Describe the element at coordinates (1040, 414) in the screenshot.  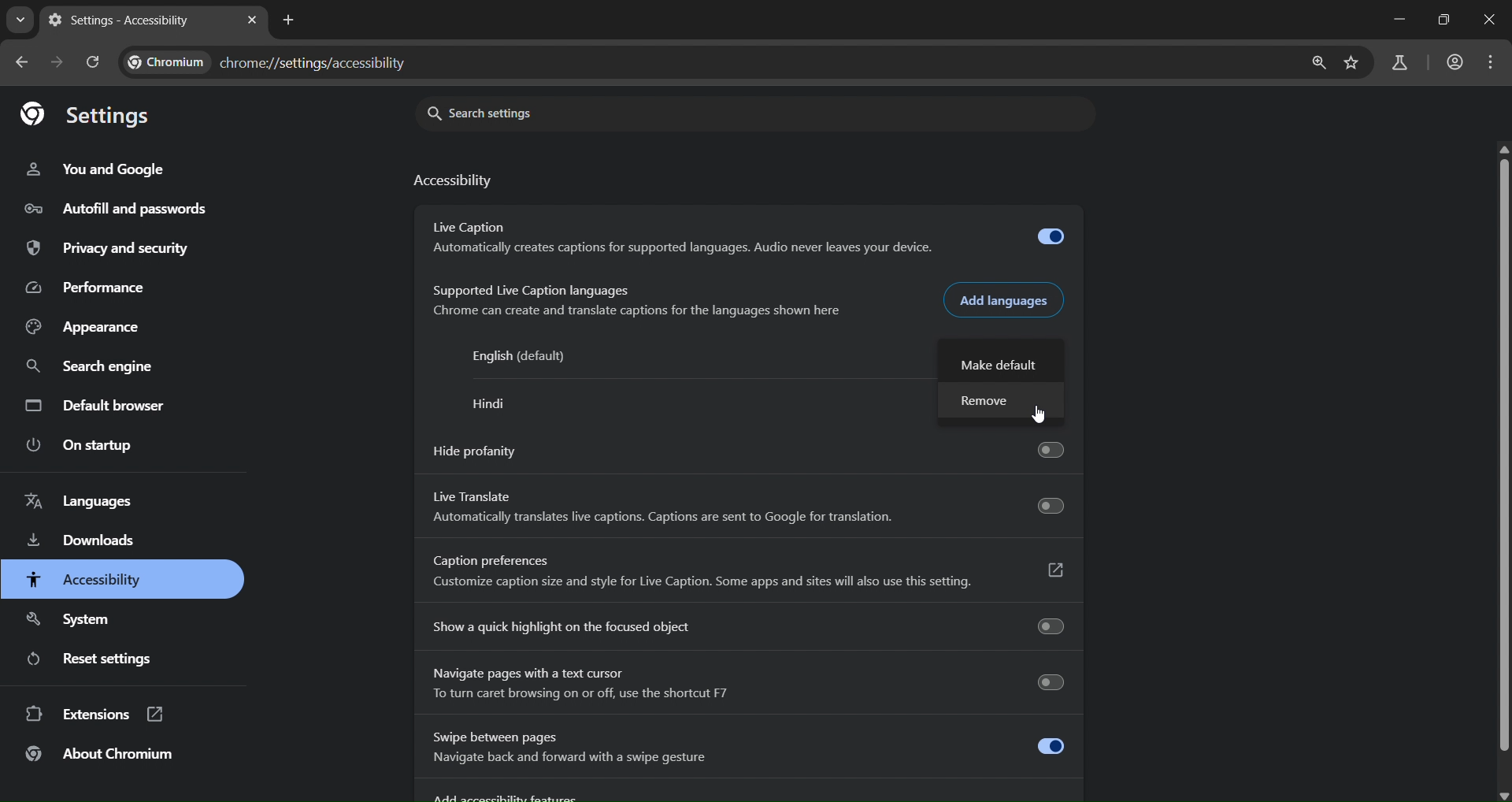
I see `cursor` at that location.